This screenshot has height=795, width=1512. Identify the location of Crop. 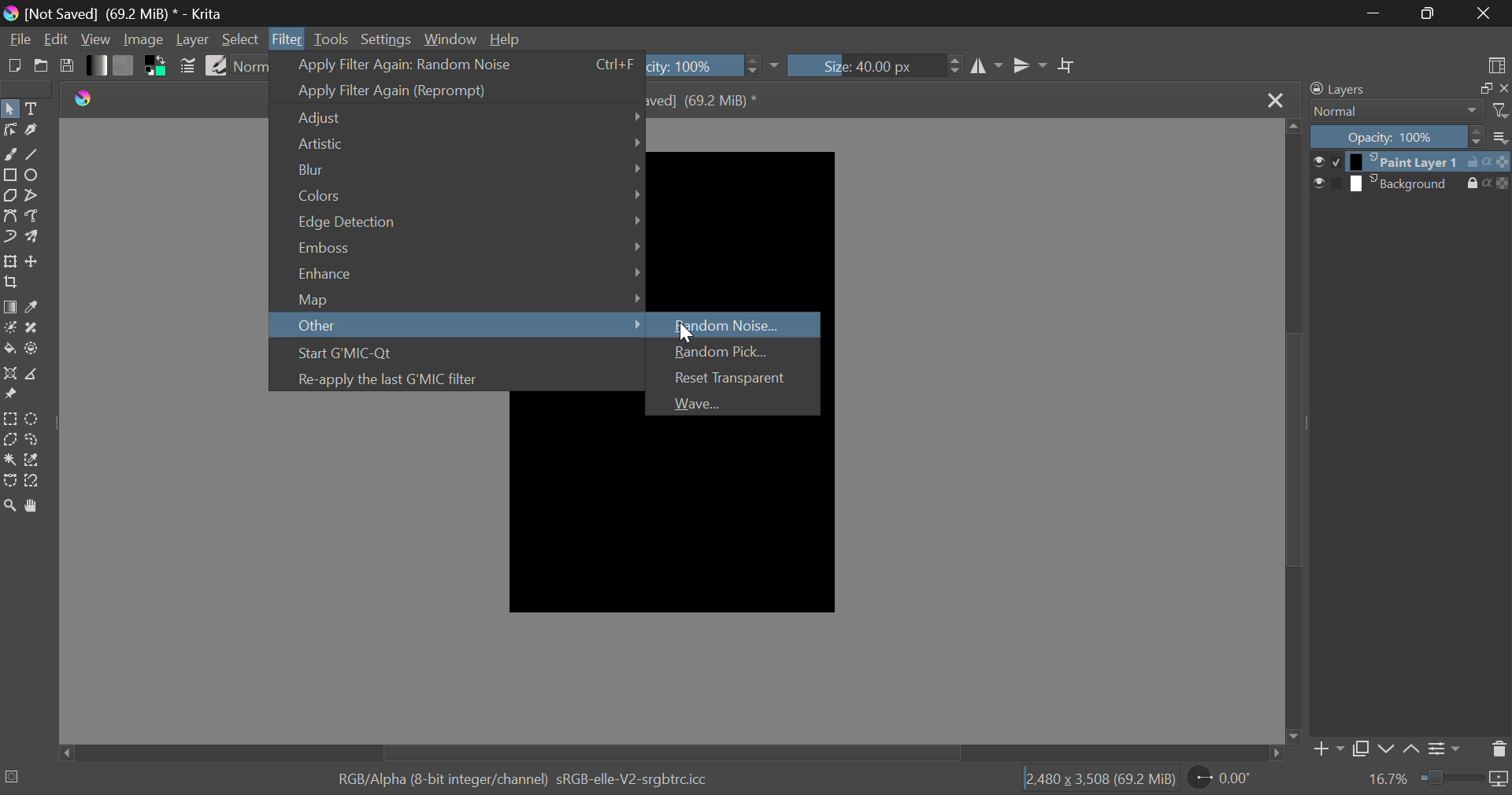
(1067, 66).